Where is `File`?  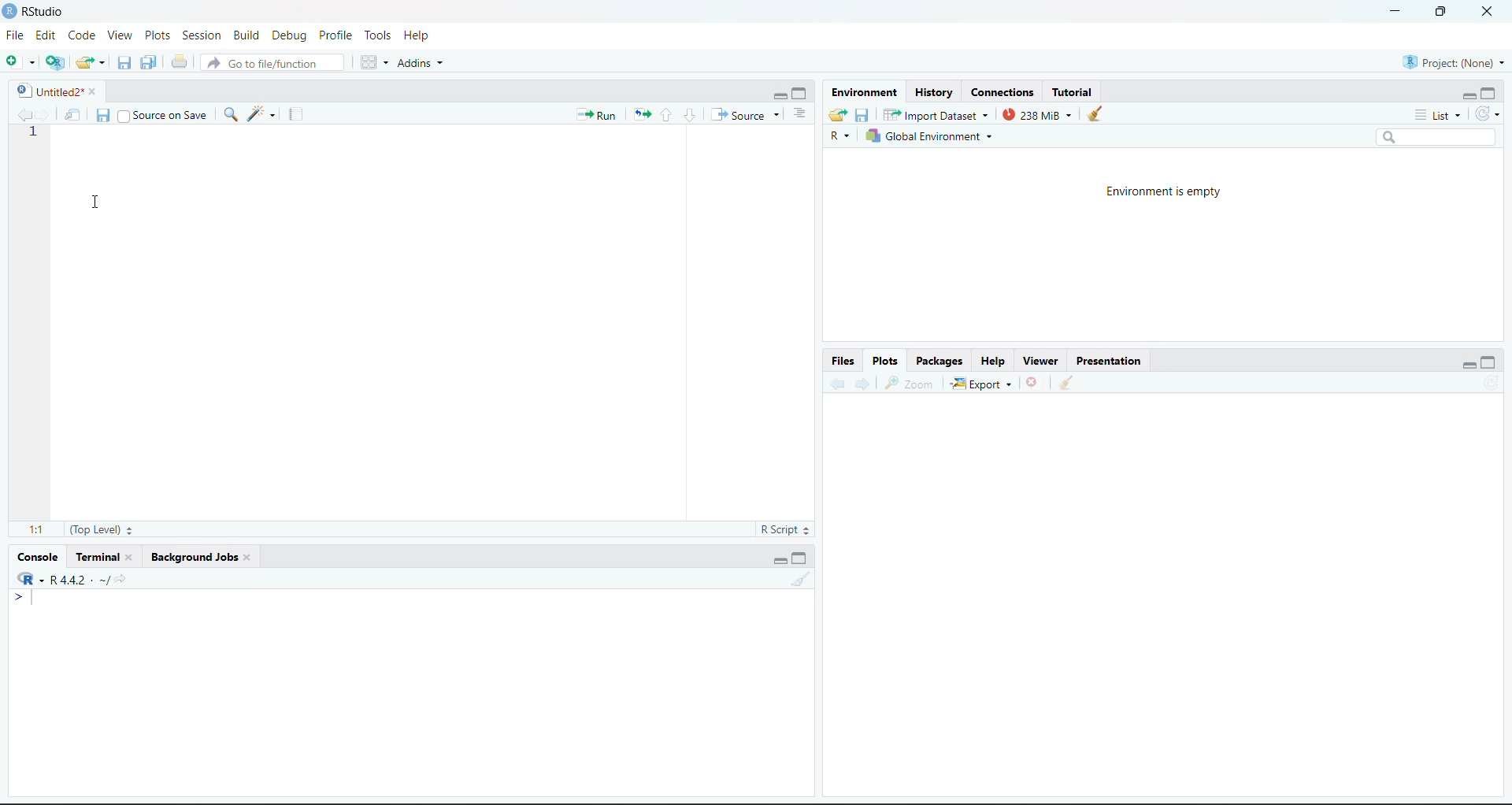 File is located at coordinates (16, 35).